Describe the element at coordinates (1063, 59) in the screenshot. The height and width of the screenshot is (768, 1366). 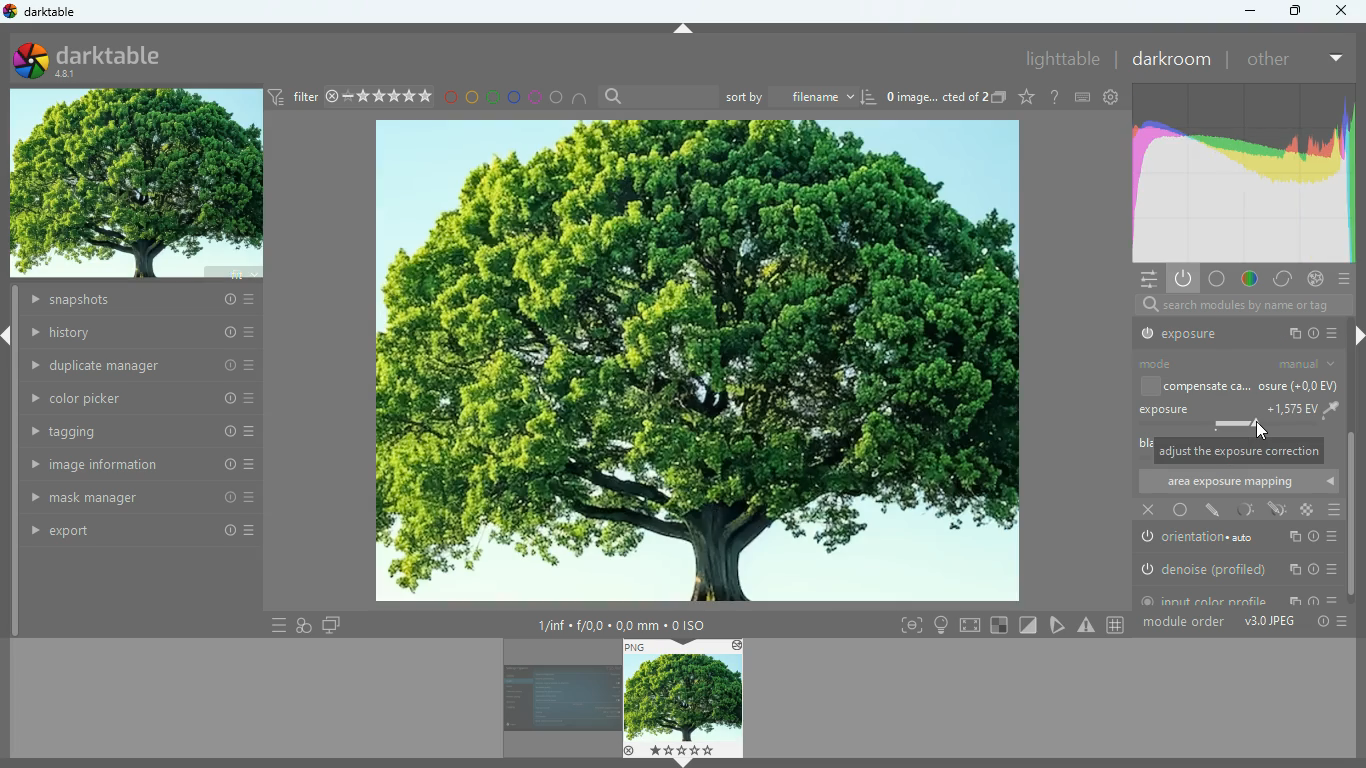
I see `lighttable` at that location.